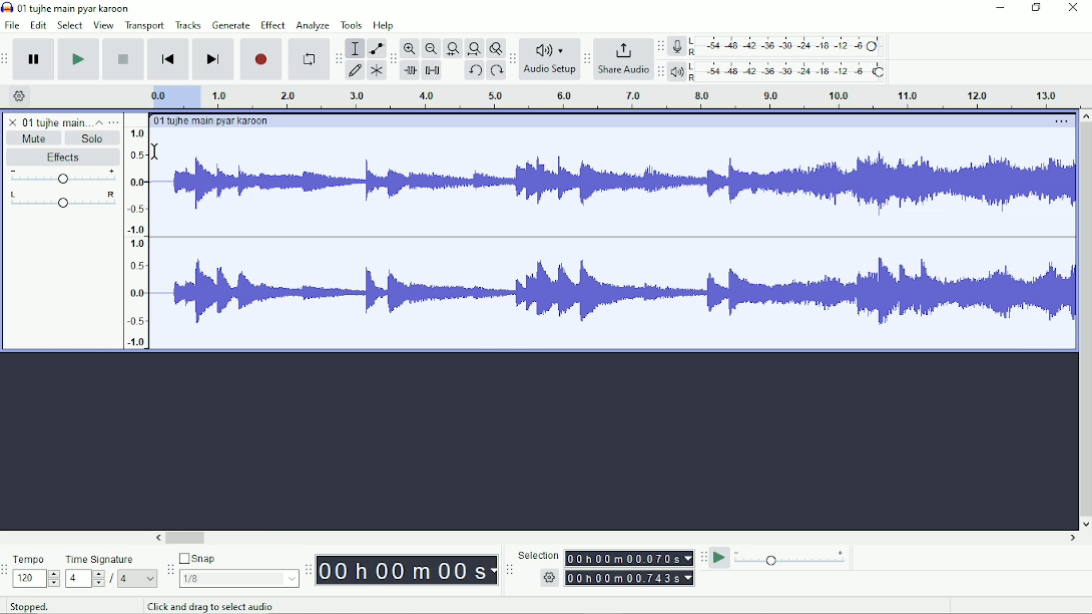 This screenshot has width=1092, height=614. Describe the element at coordinates (14, 122) in the screenshot. I see `cancel logo` at that location.